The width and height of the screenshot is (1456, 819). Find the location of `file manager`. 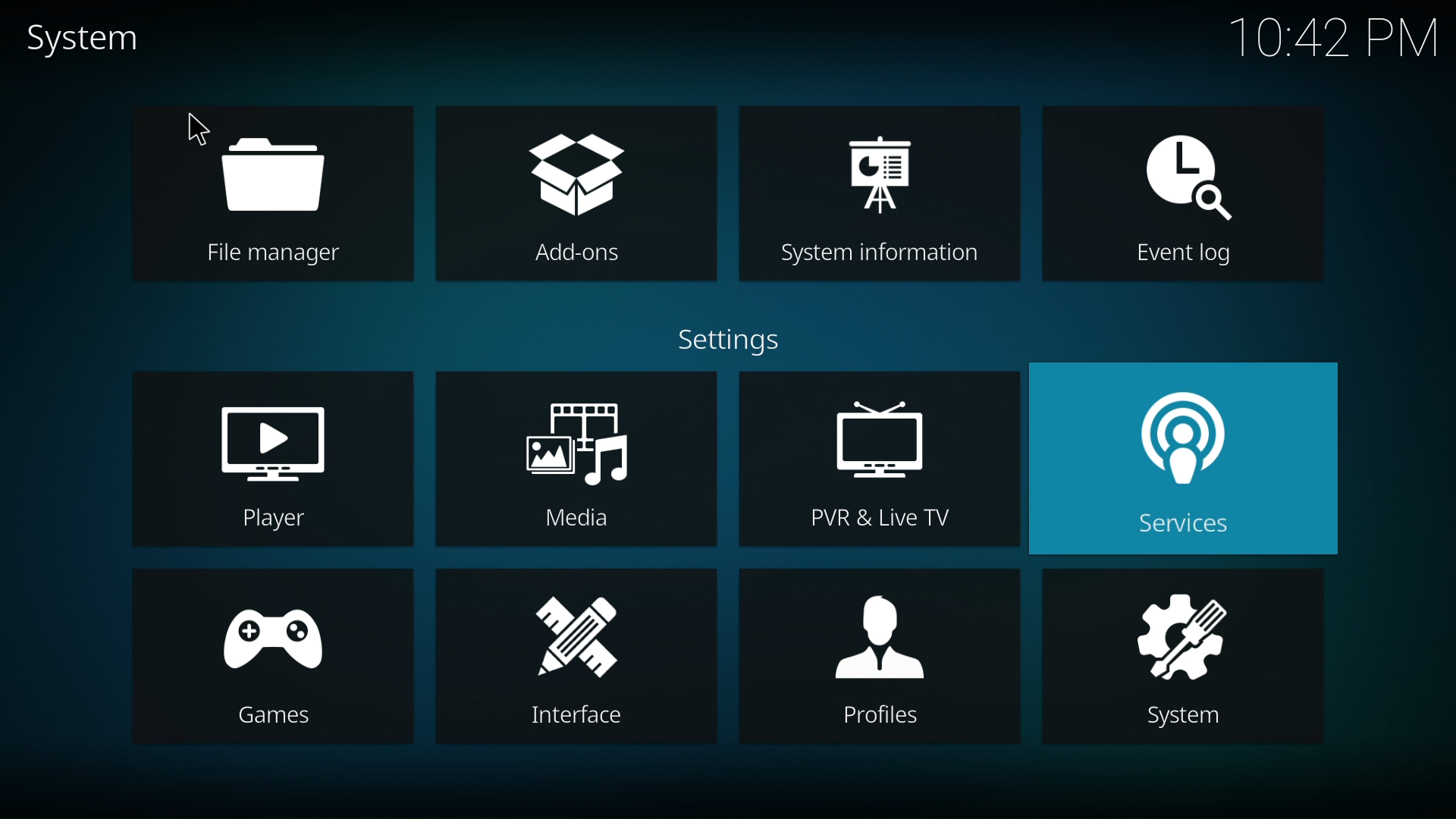

file manager is located at coordinates (267, 192).